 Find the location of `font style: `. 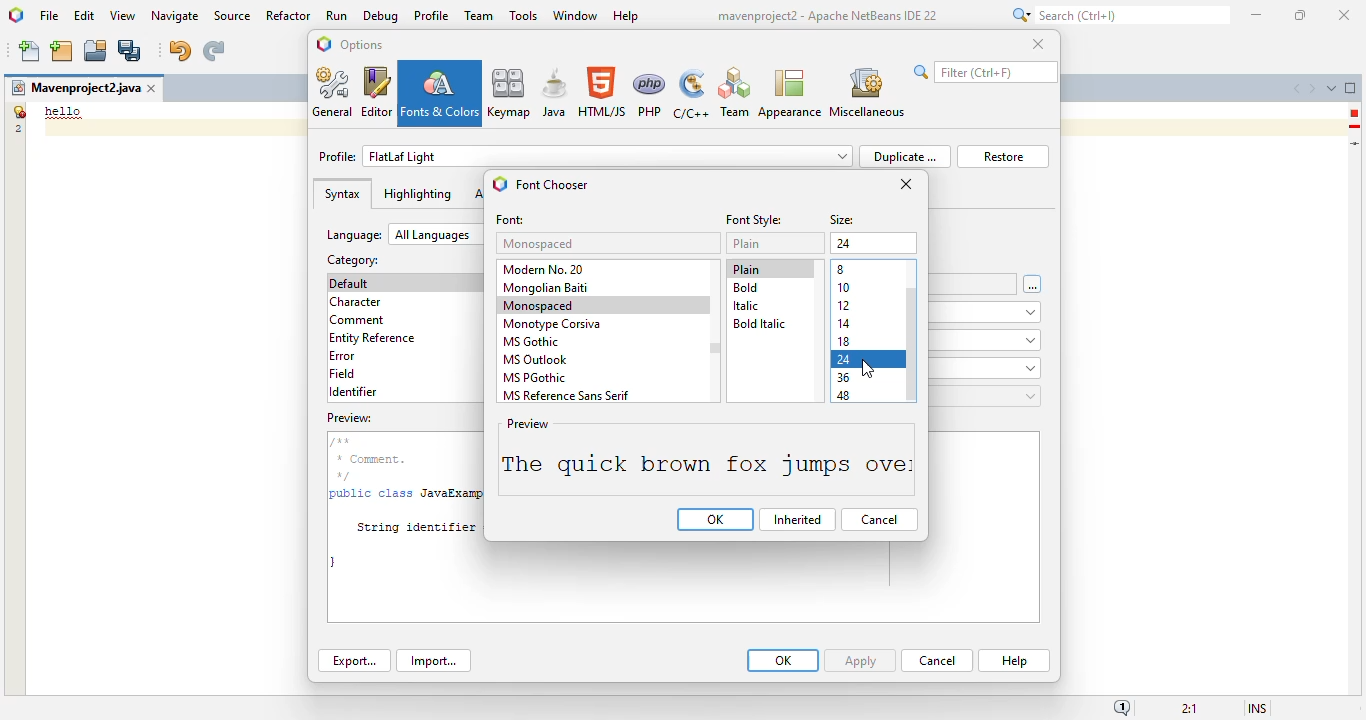

font style:  is located at coordinates (753, 220).